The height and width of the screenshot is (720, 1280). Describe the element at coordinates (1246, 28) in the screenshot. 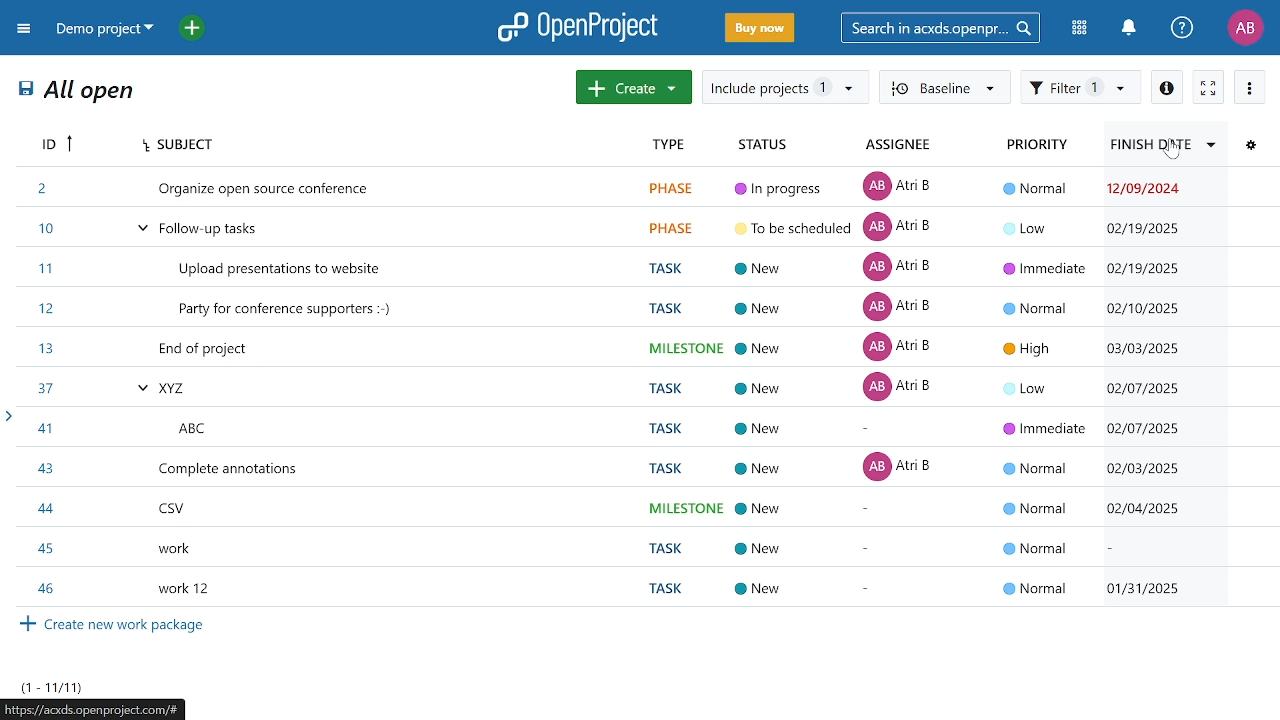

I see `profile "AB"` at that location.